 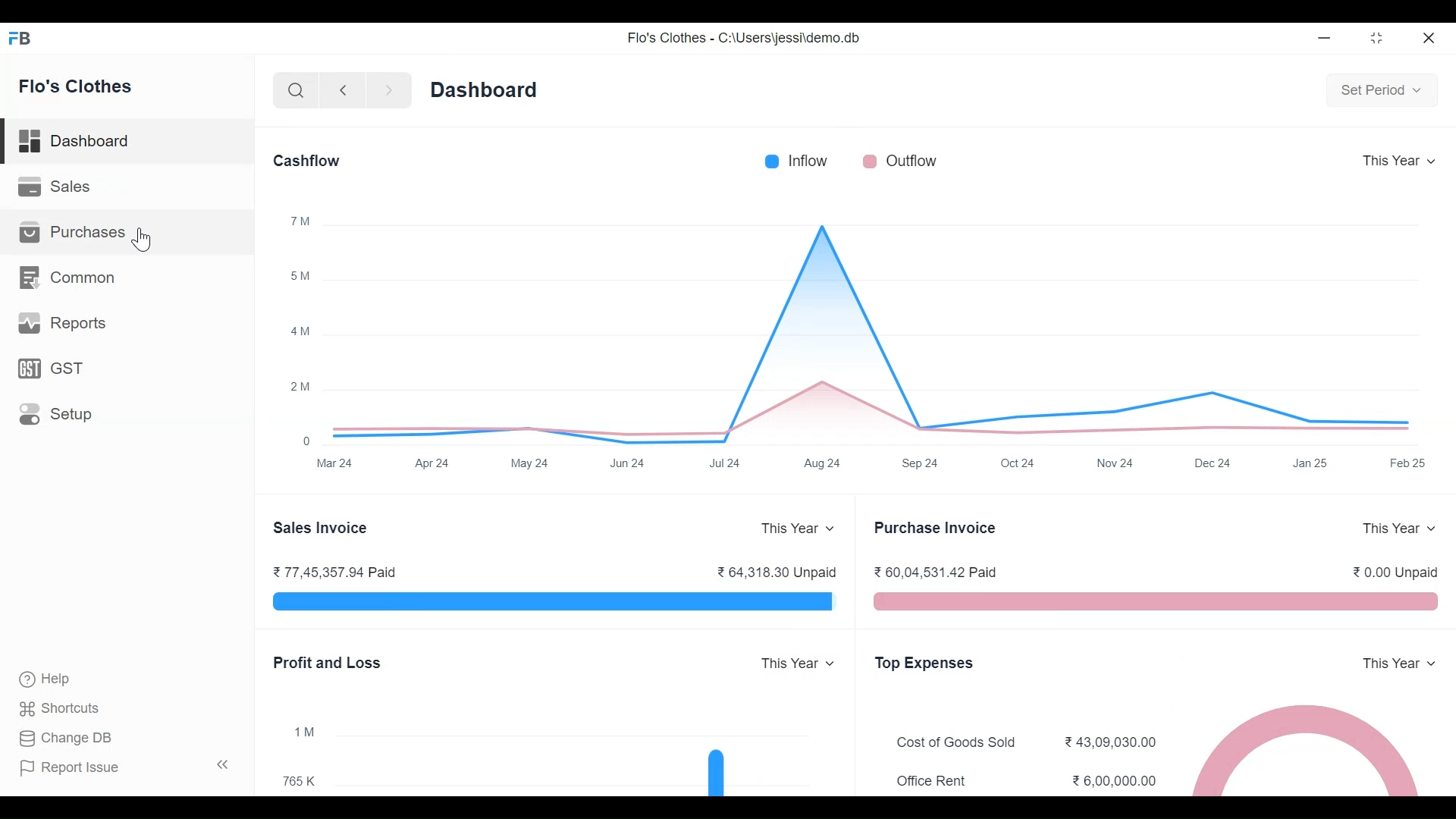 What do you see at coordinates (824, 462) in the screenshot?
I see `Aug 24` at bounding box center [824, 462].